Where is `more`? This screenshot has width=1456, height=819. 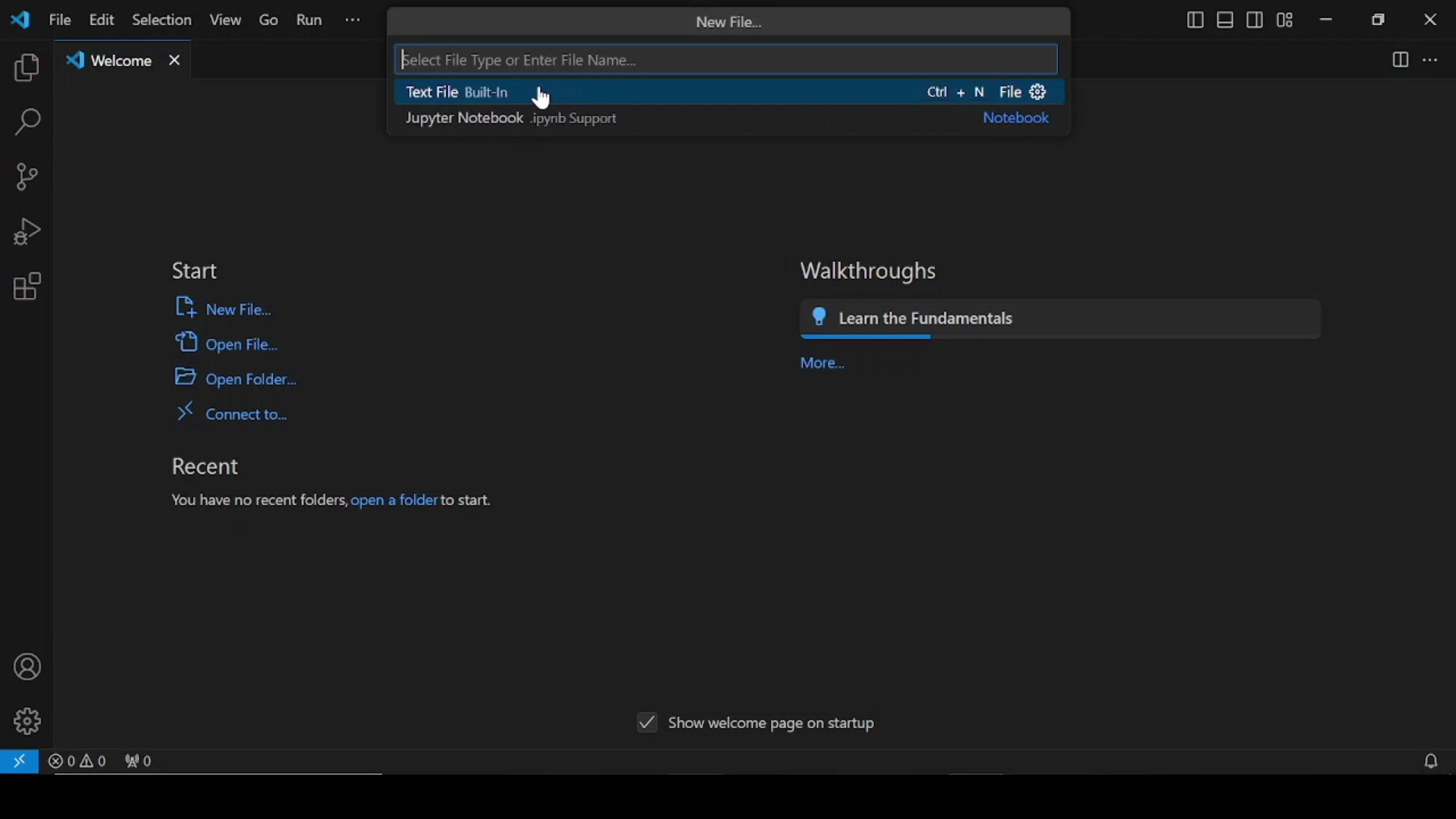
more is located at coordinates (823, 364).